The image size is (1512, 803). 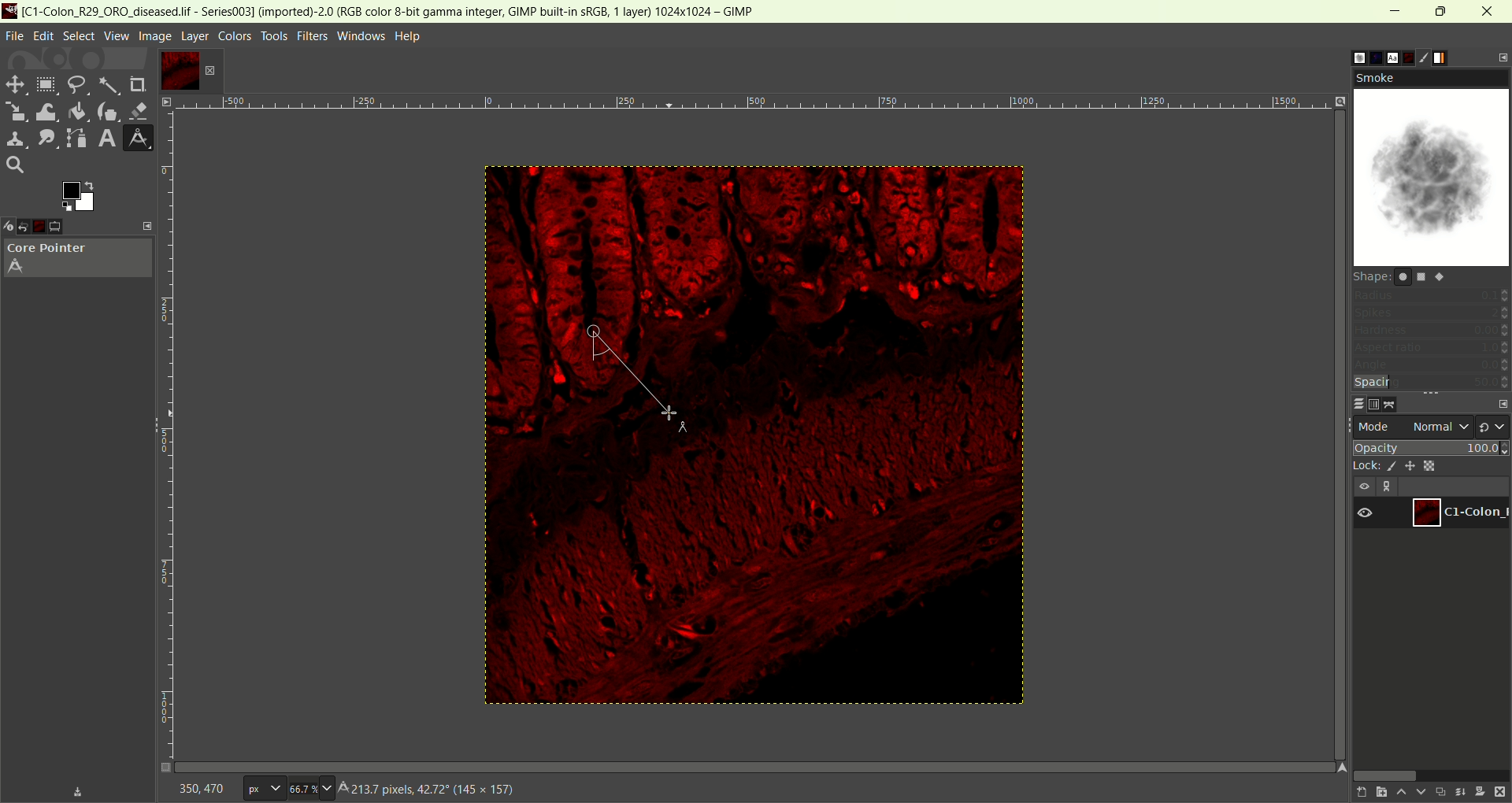 I want to click on lock, so click(x=1363, y=467).